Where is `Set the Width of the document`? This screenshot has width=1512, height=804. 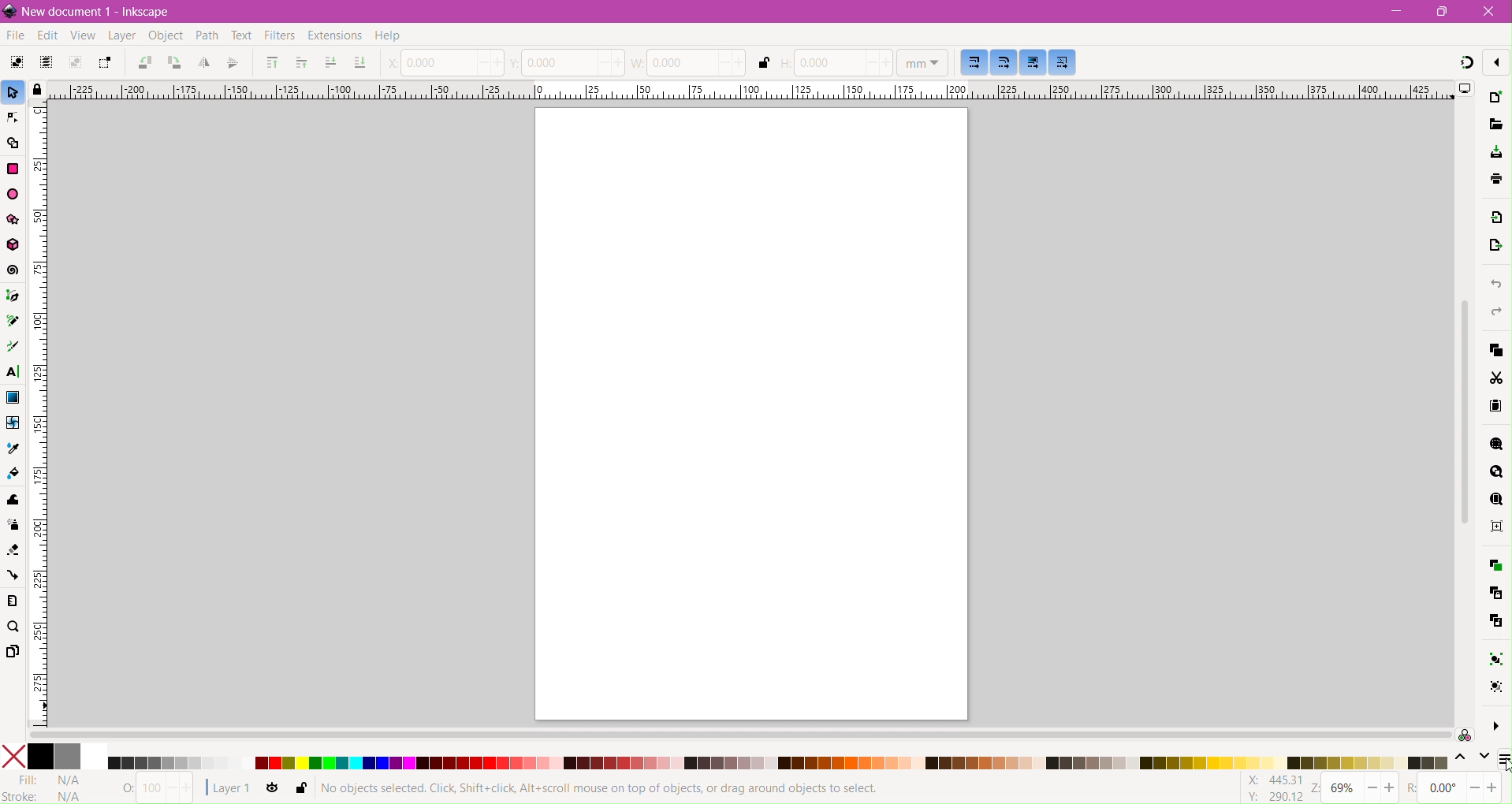 Set the Width of the document is located at coordinates (690, 62).